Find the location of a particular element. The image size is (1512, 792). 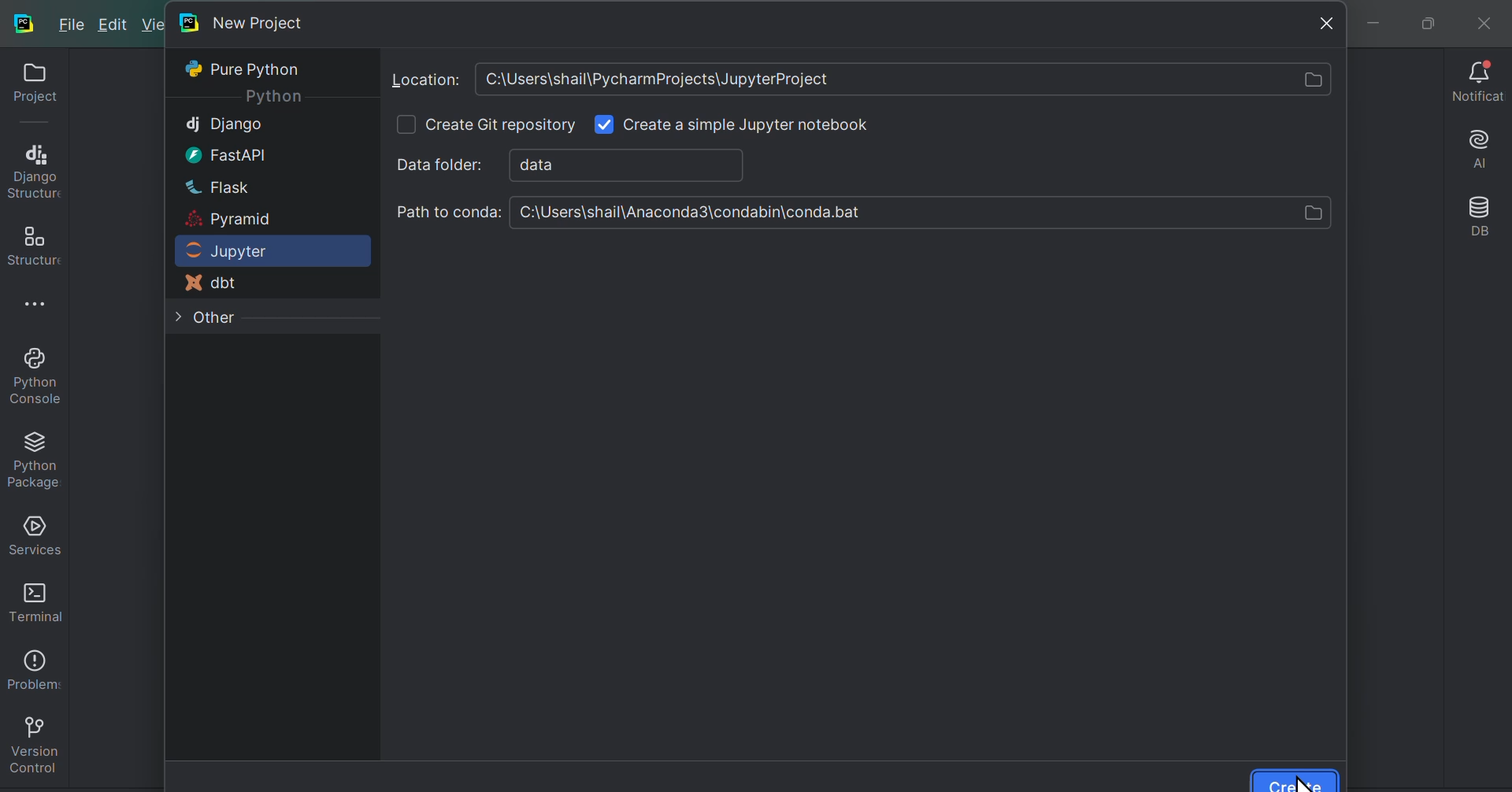

Other is located at coordinates (213, 319).